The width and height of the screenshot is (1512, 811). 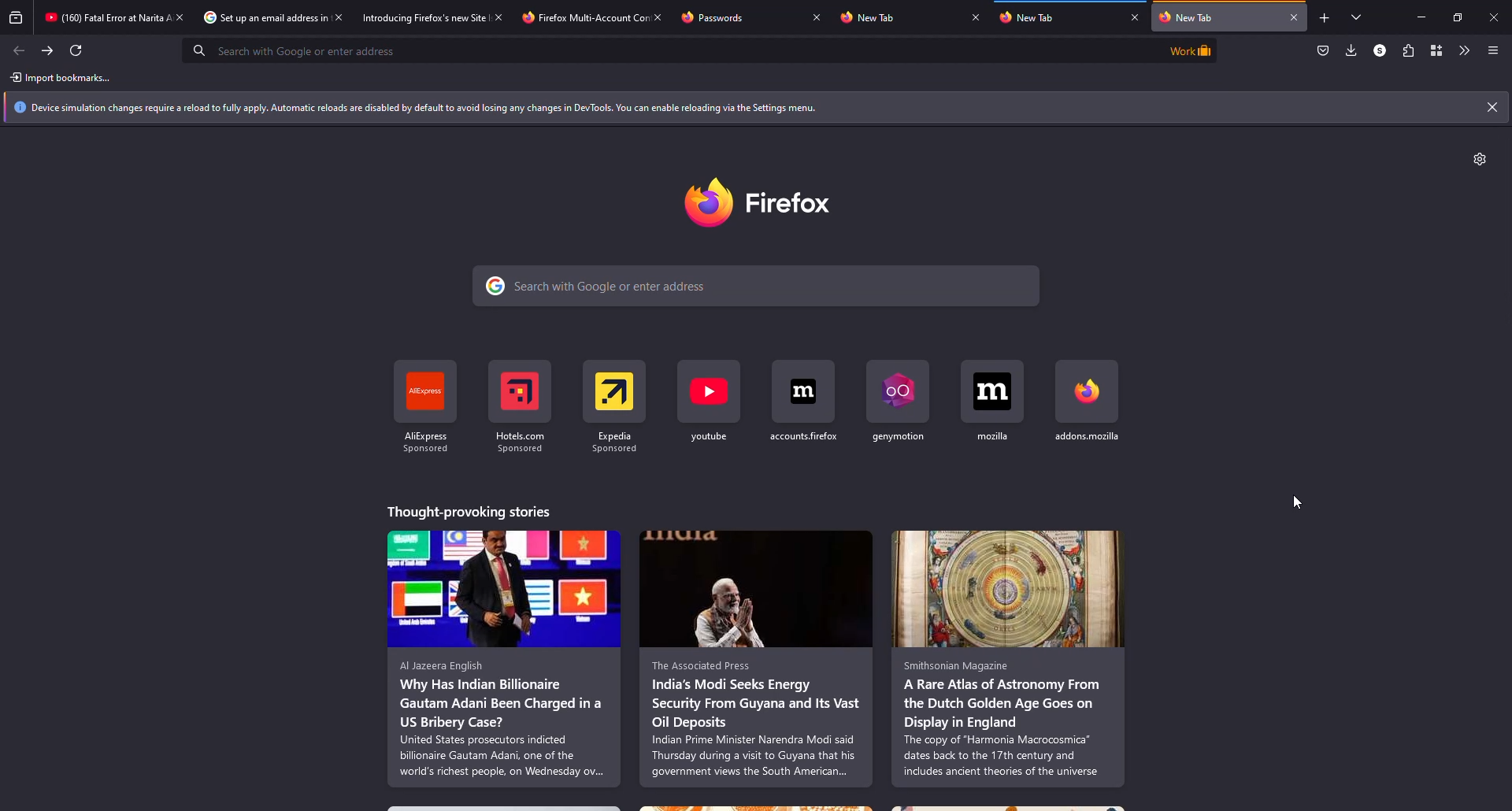 I want to click on Firefox Mozilla shortcut, so click(x=1088, y=401).